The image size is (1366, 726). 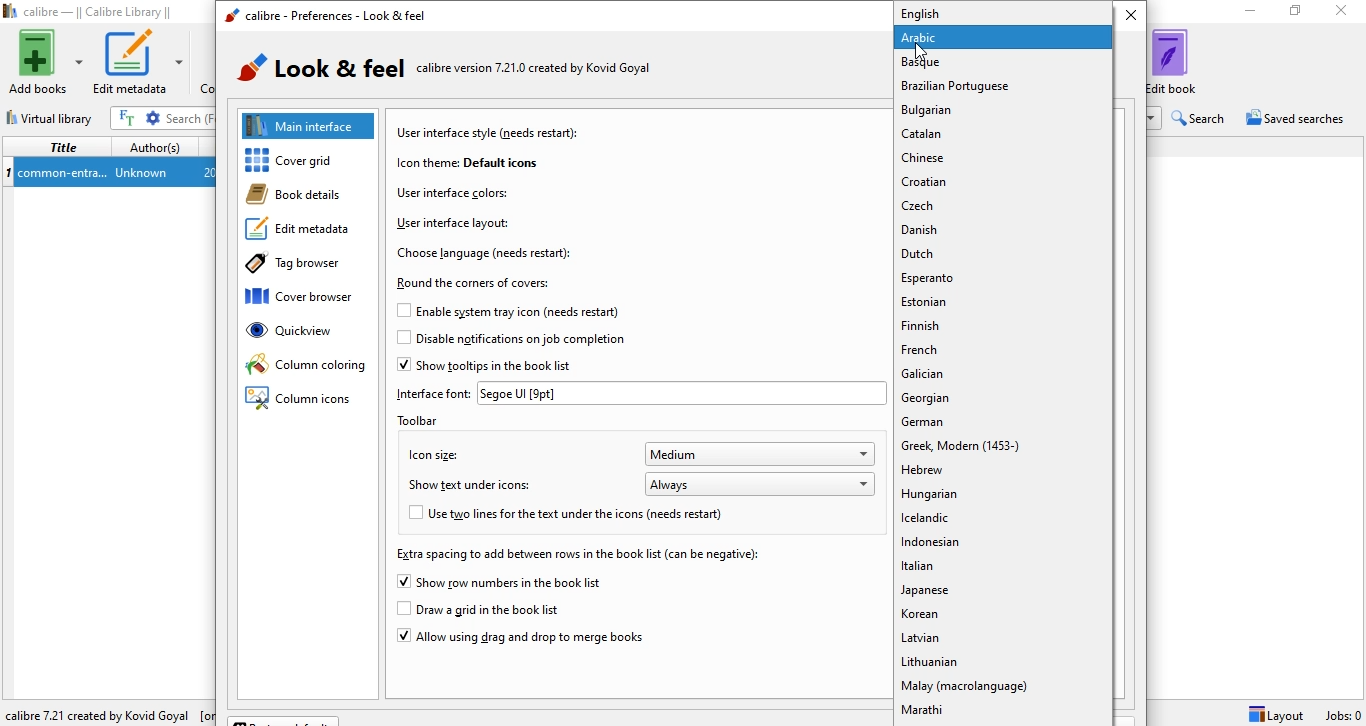 I want to click on column icons, so click(x=301, y=400).